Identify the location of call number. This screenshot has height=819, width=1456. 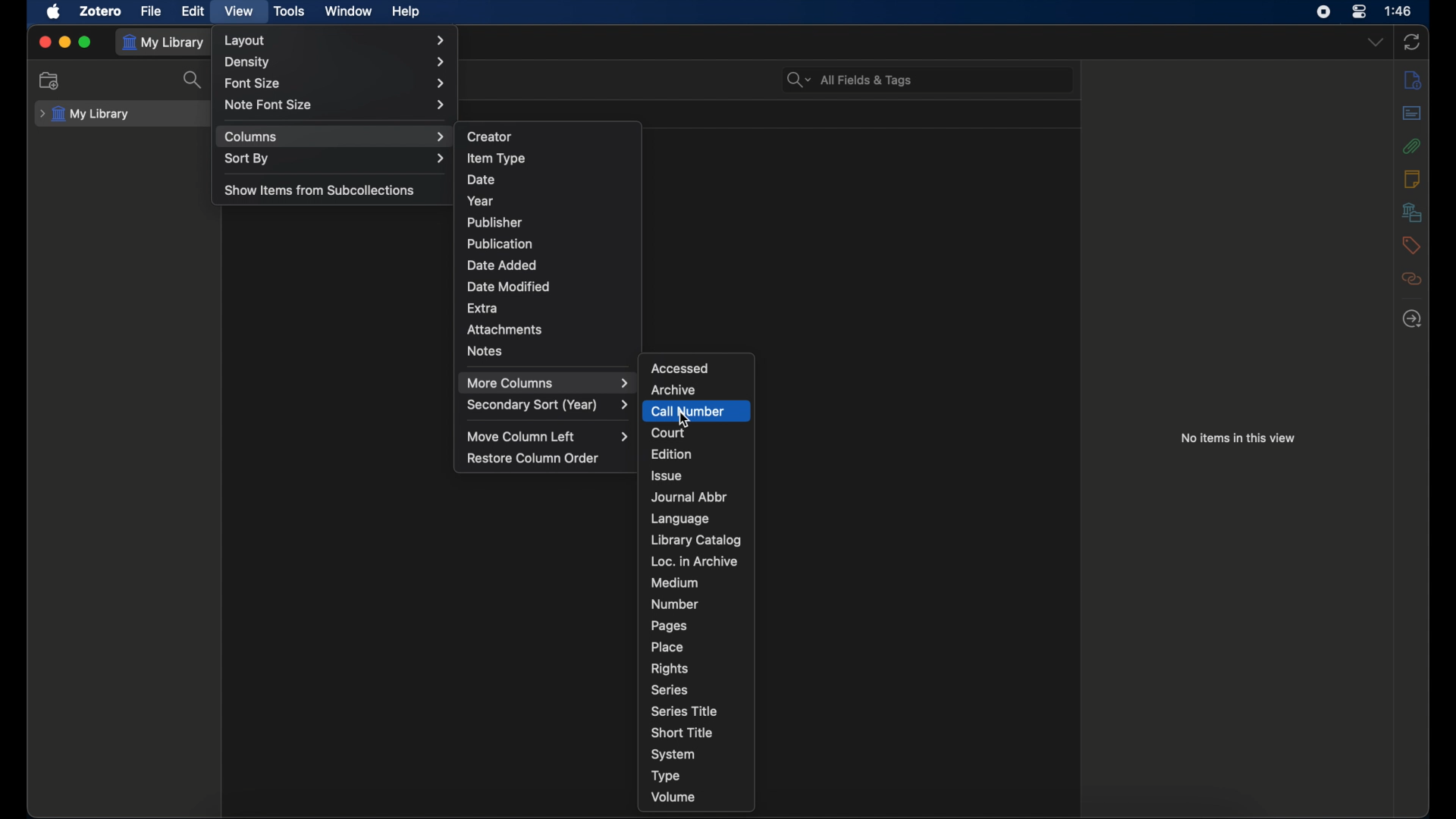
(695, 411).